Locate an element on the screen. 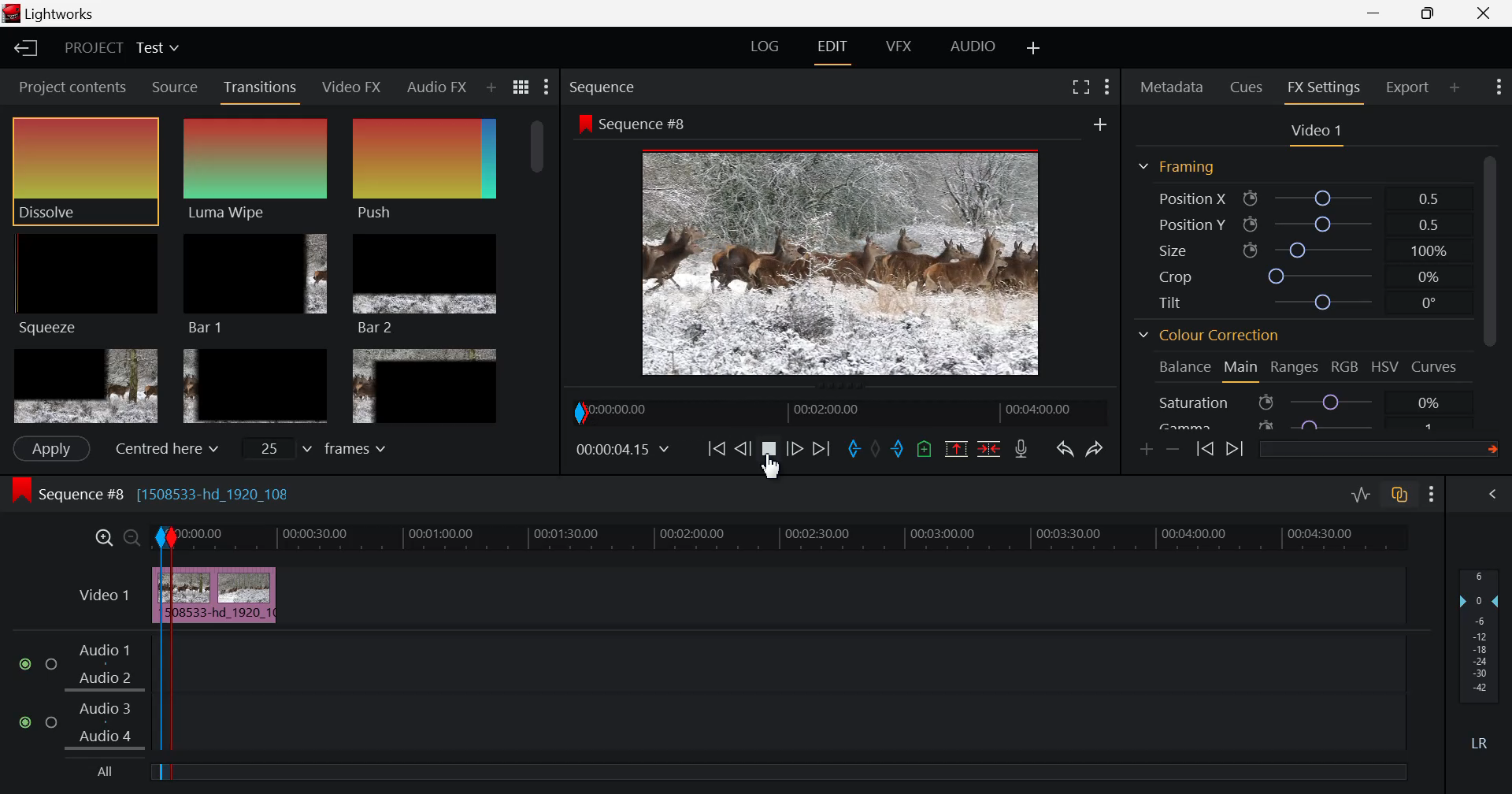 Image resolution: width=1512 pixels, height=794 pixels. Add Panel is located at coordinates (490, 89).